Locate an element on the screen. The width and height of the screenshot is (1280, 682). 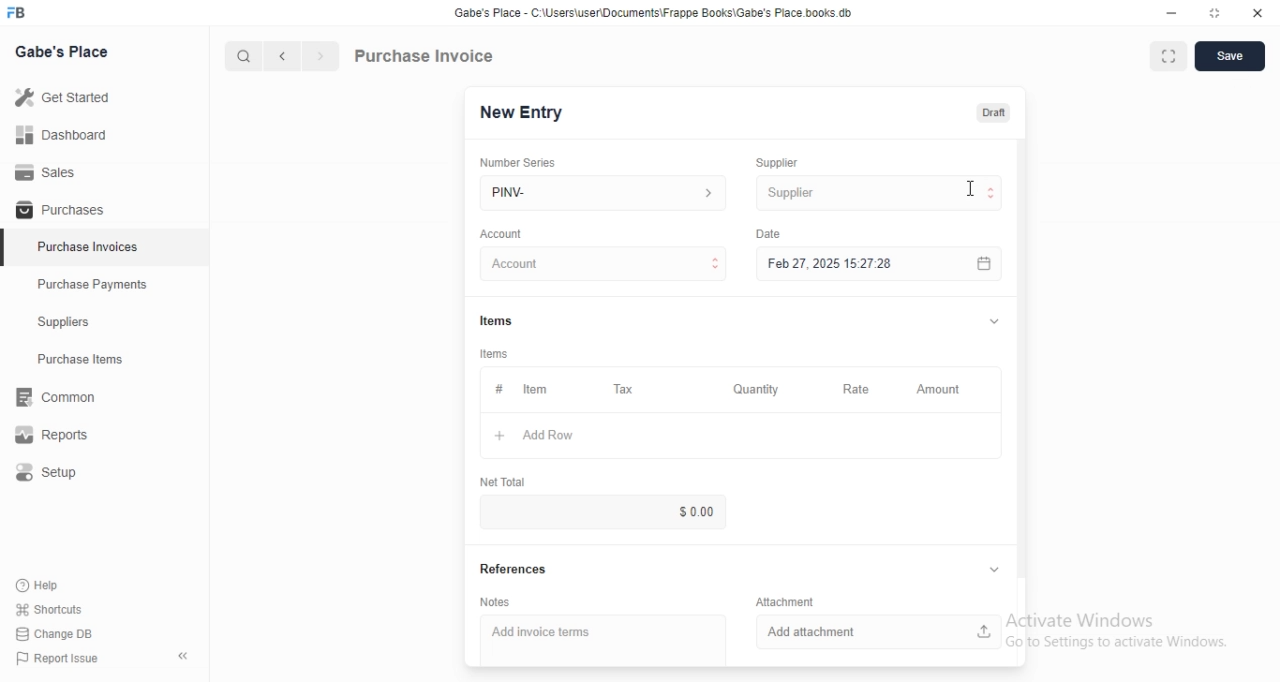
Help is located at coordinates (49, 586).